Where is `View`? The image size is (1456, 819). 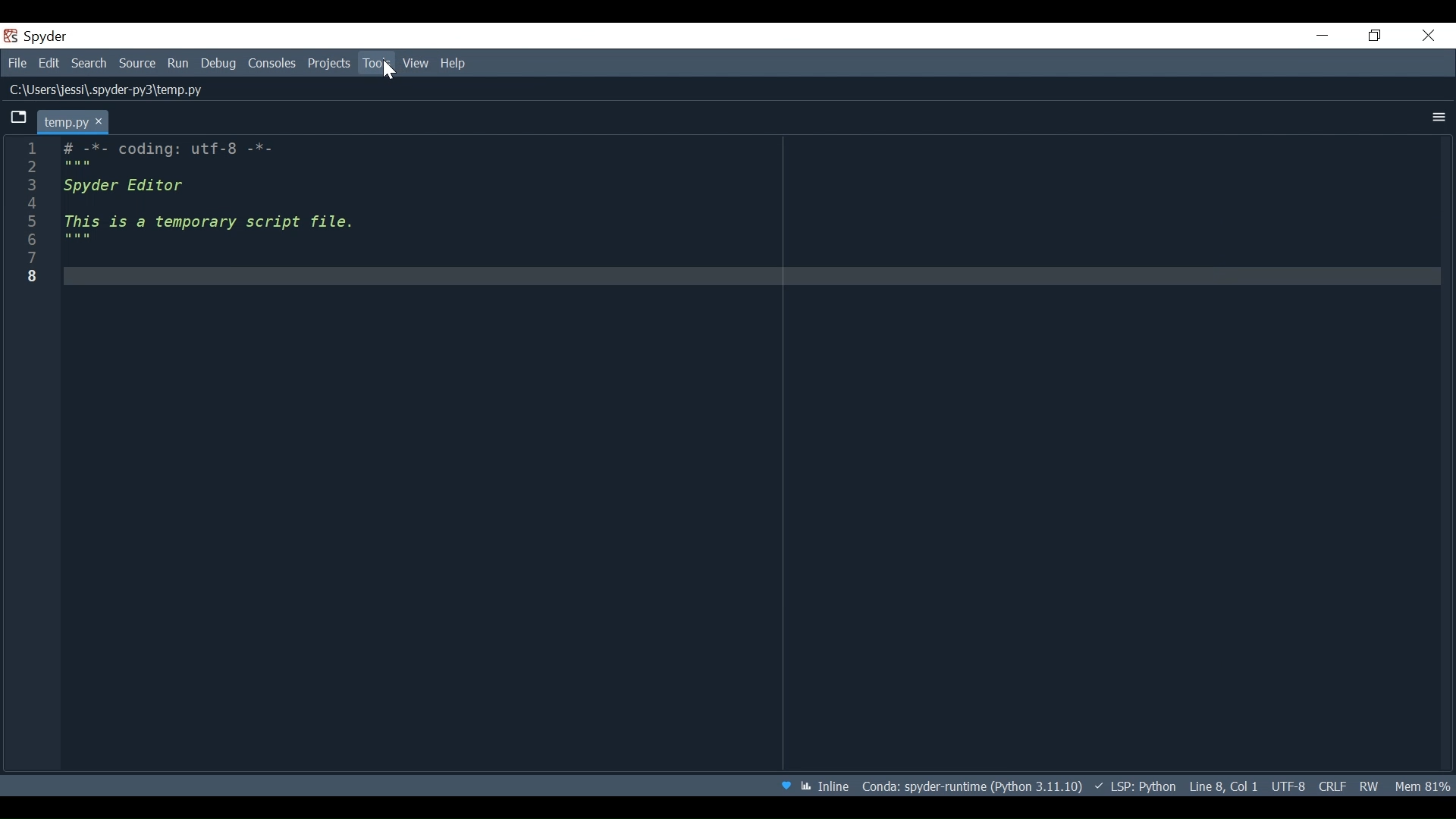
View is located at coordinates (416, 63).